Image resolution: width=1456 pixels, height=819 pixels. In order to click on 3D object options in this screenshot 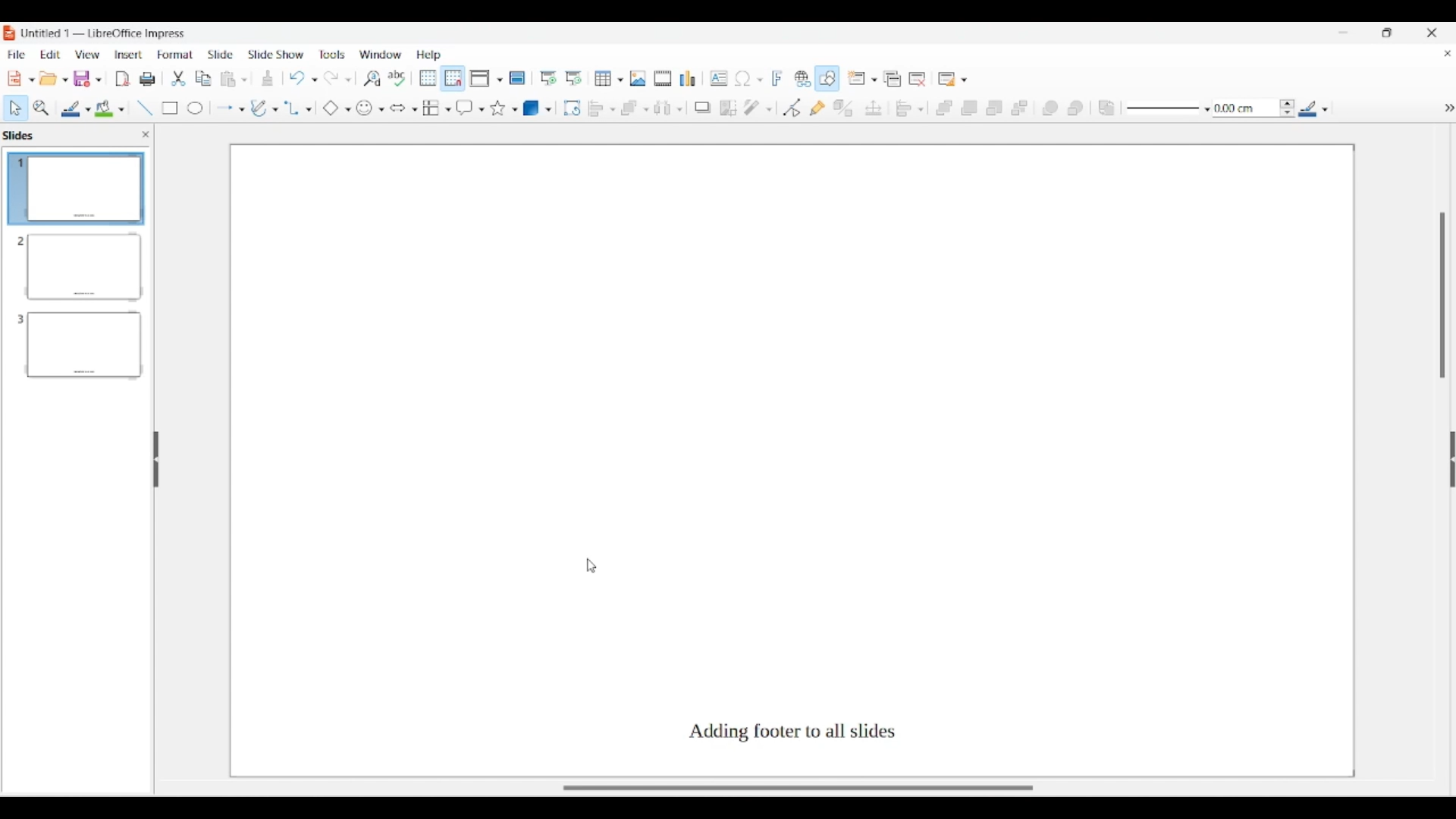, I will do `click(537, 108)`.